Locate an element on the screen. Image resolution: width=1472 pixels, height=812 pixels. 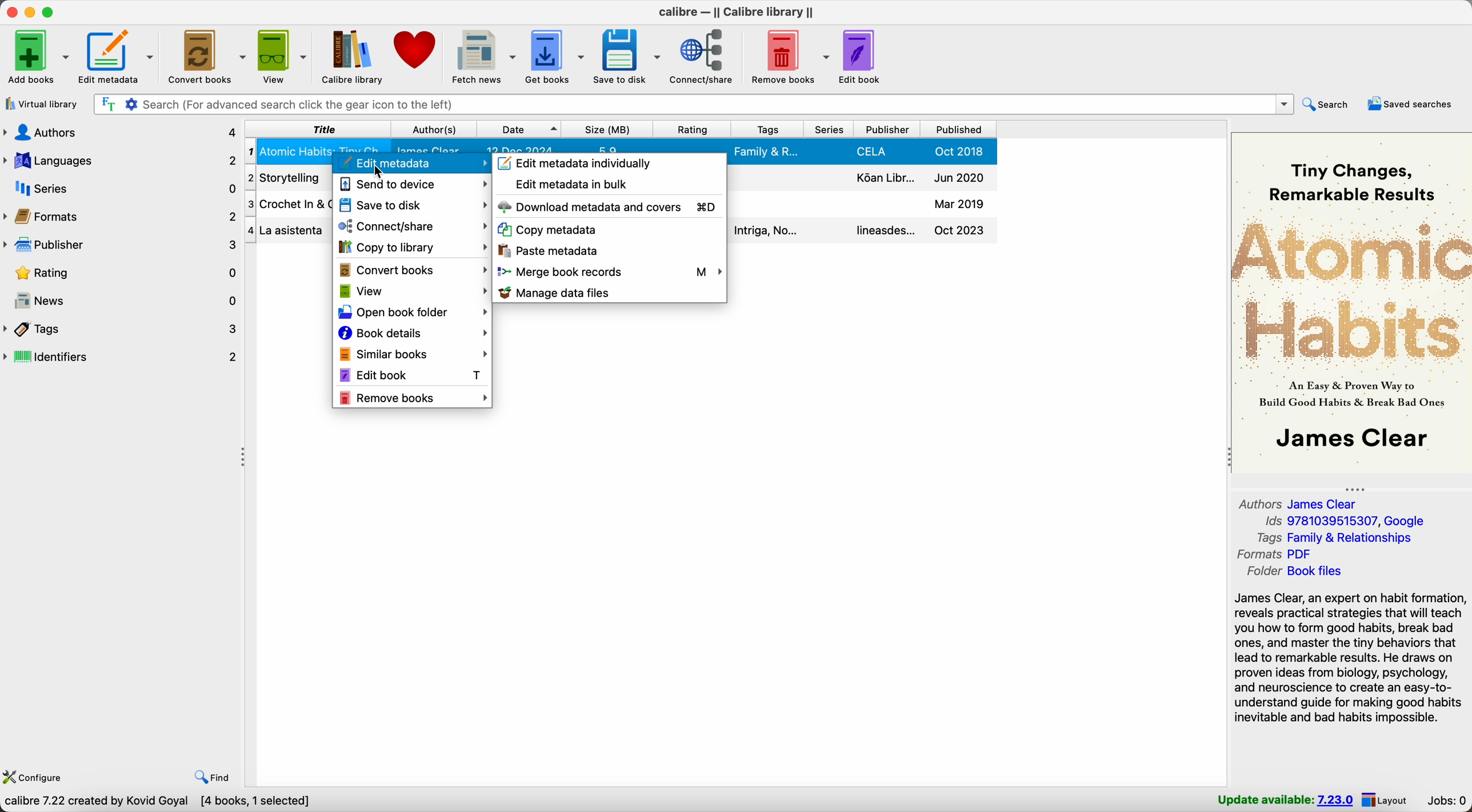
edit book is located at coordinates (862, 56).